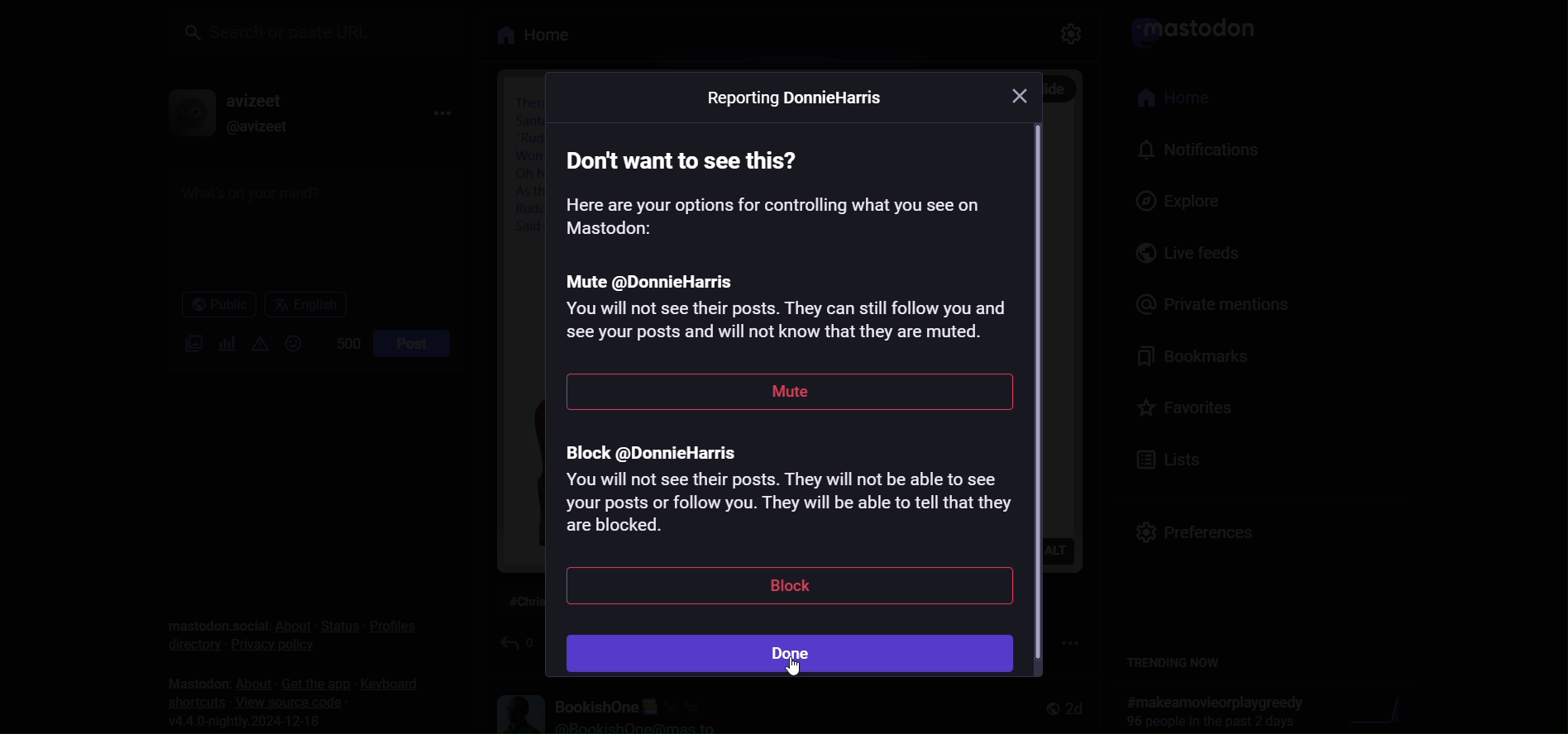 The image size is (1568, 734). Describe the element at coordinates (291, 343) in the screenshot. I see `emoji` at that location.